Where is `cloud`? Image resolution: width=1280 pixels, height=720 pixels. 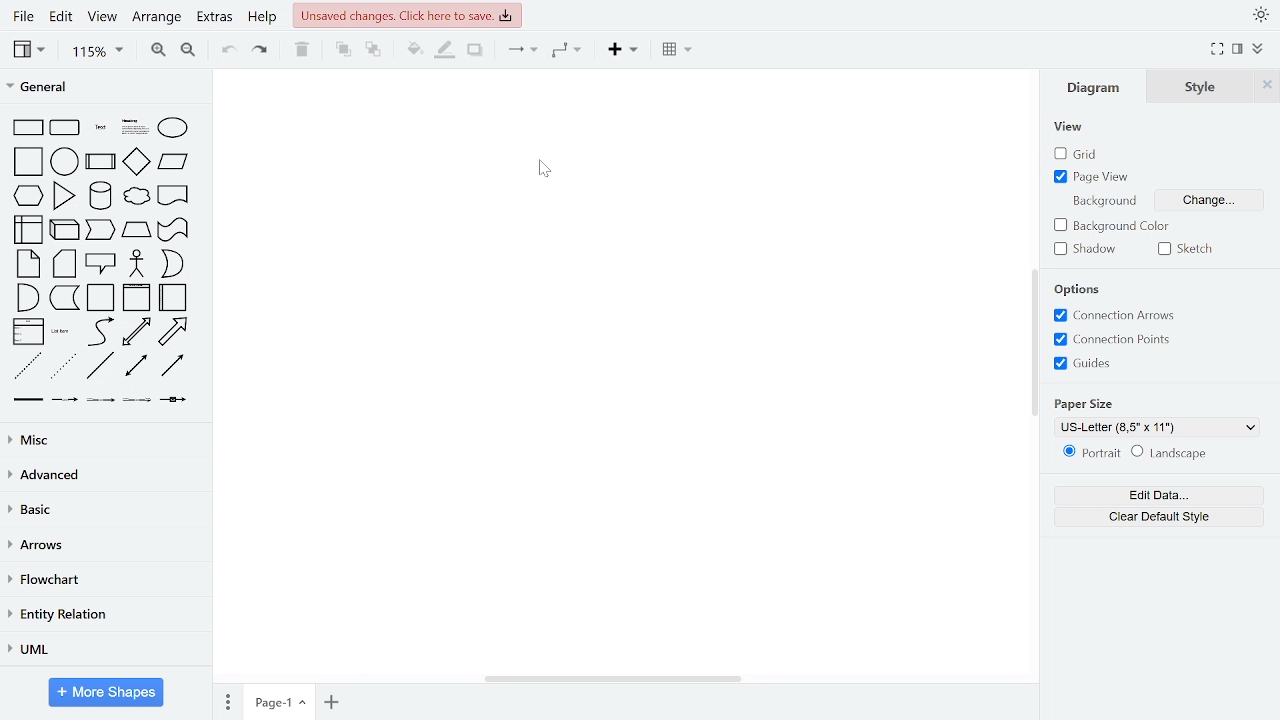 cloud is located at coordinates (137, 197).